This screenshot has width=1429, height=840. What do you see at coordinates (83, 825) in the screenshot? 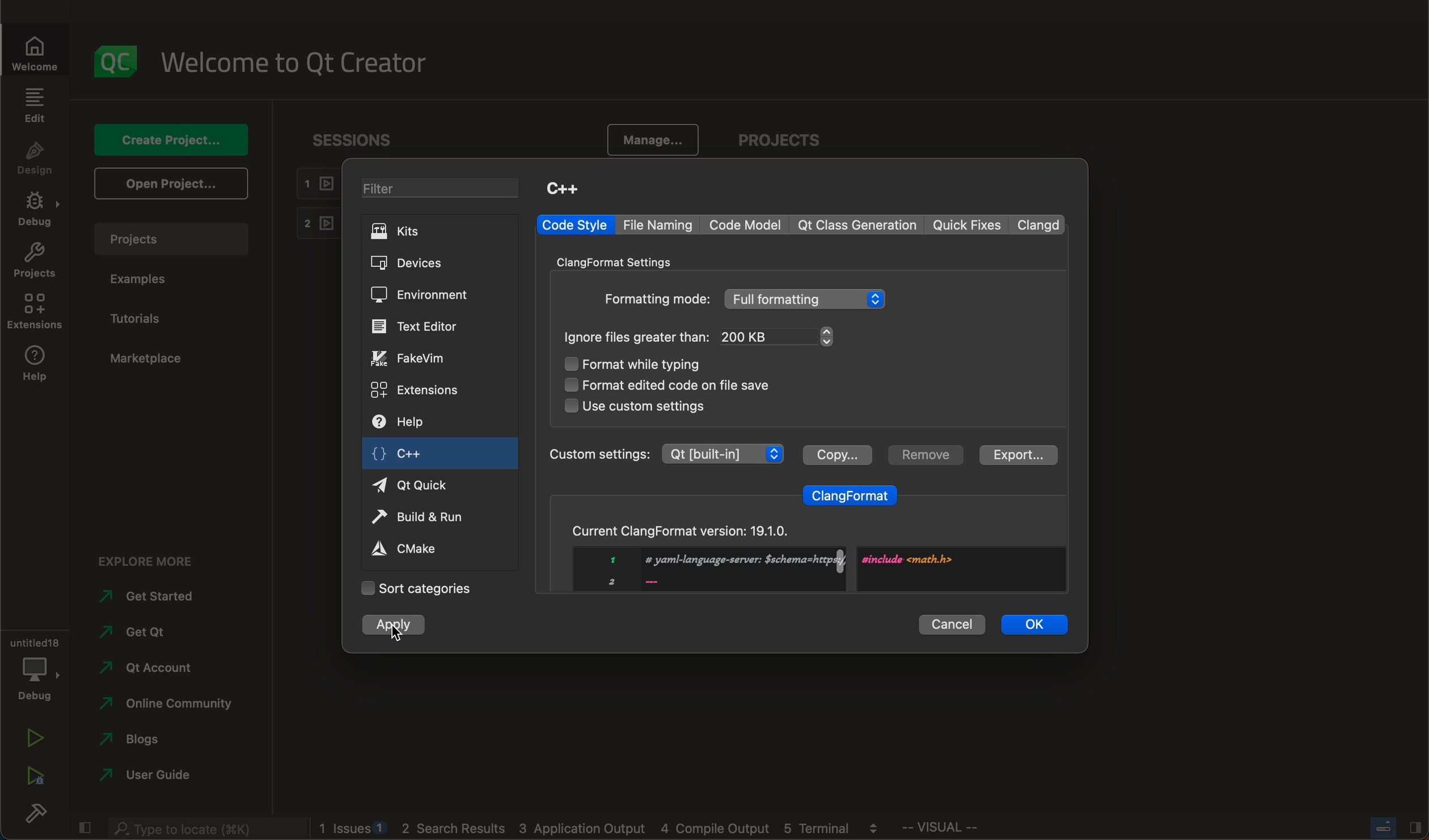
I see `close slide bar` at bounding box center [83, 825].